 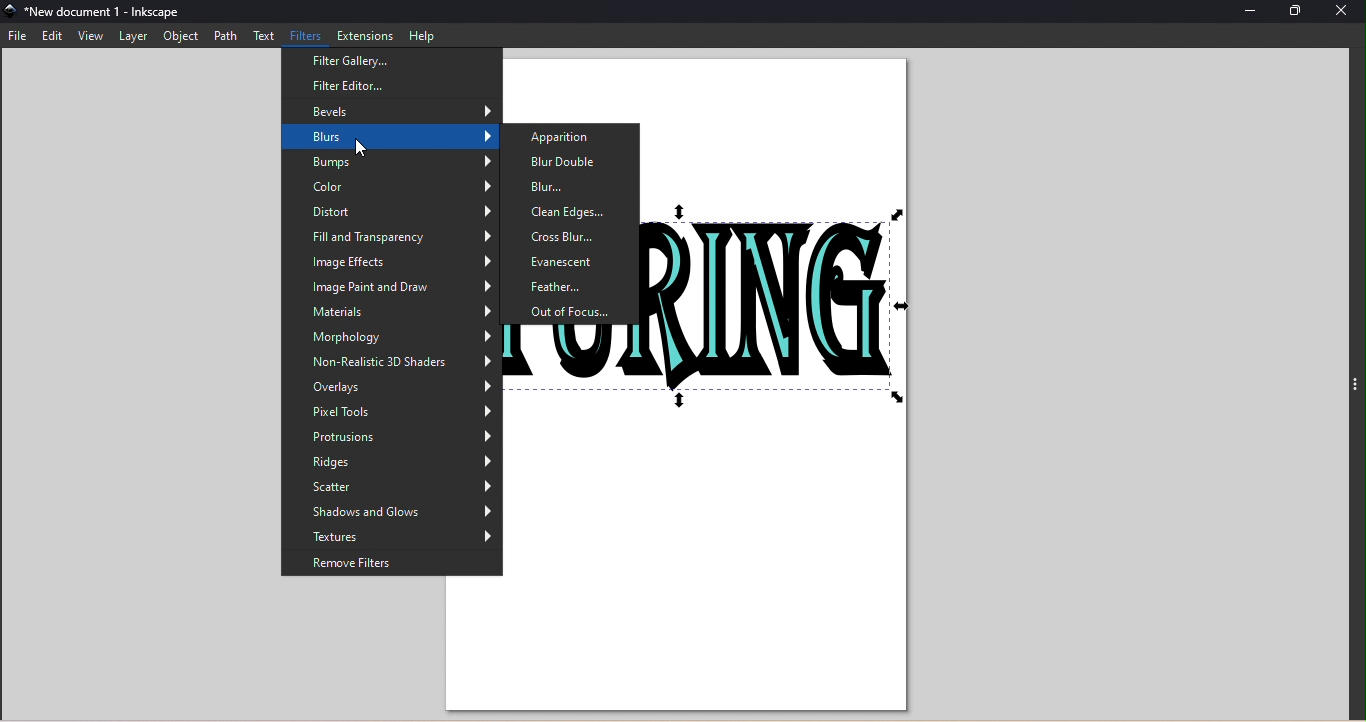 I want to click on Overlays, so click(x=389, y=386).